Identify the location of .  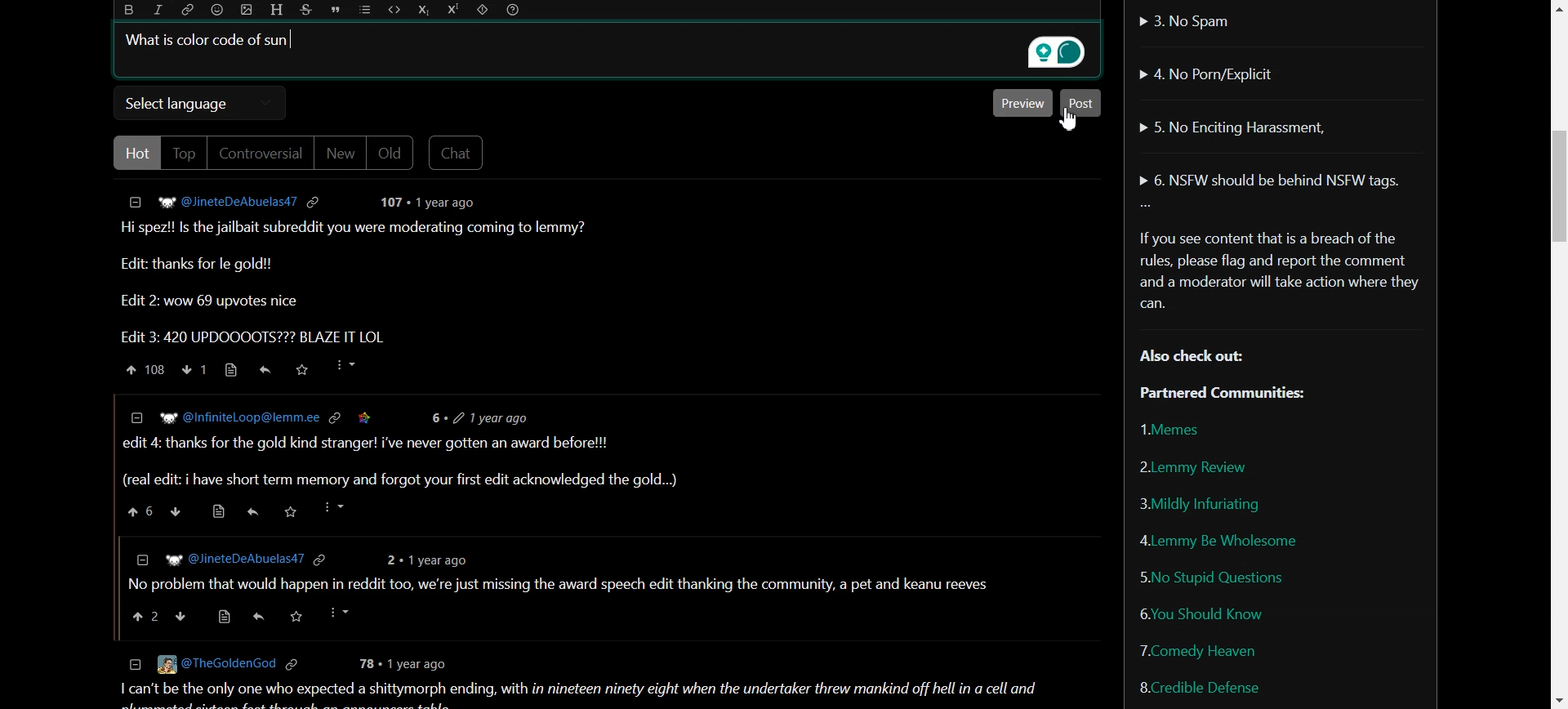
(257, 618).